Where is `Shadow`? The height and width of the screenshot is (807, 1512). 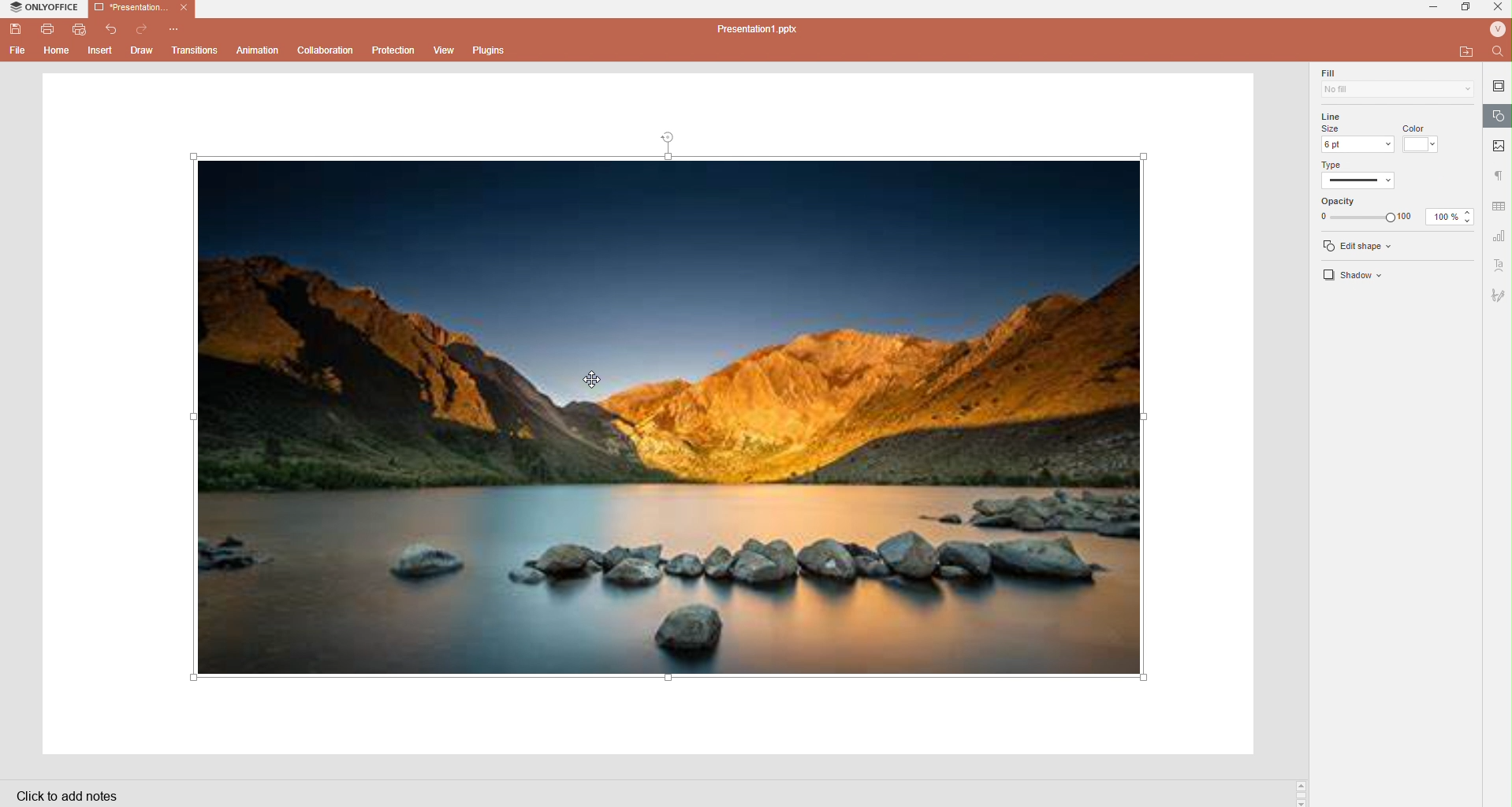
Shadow is located at coordinates (1357, 283).